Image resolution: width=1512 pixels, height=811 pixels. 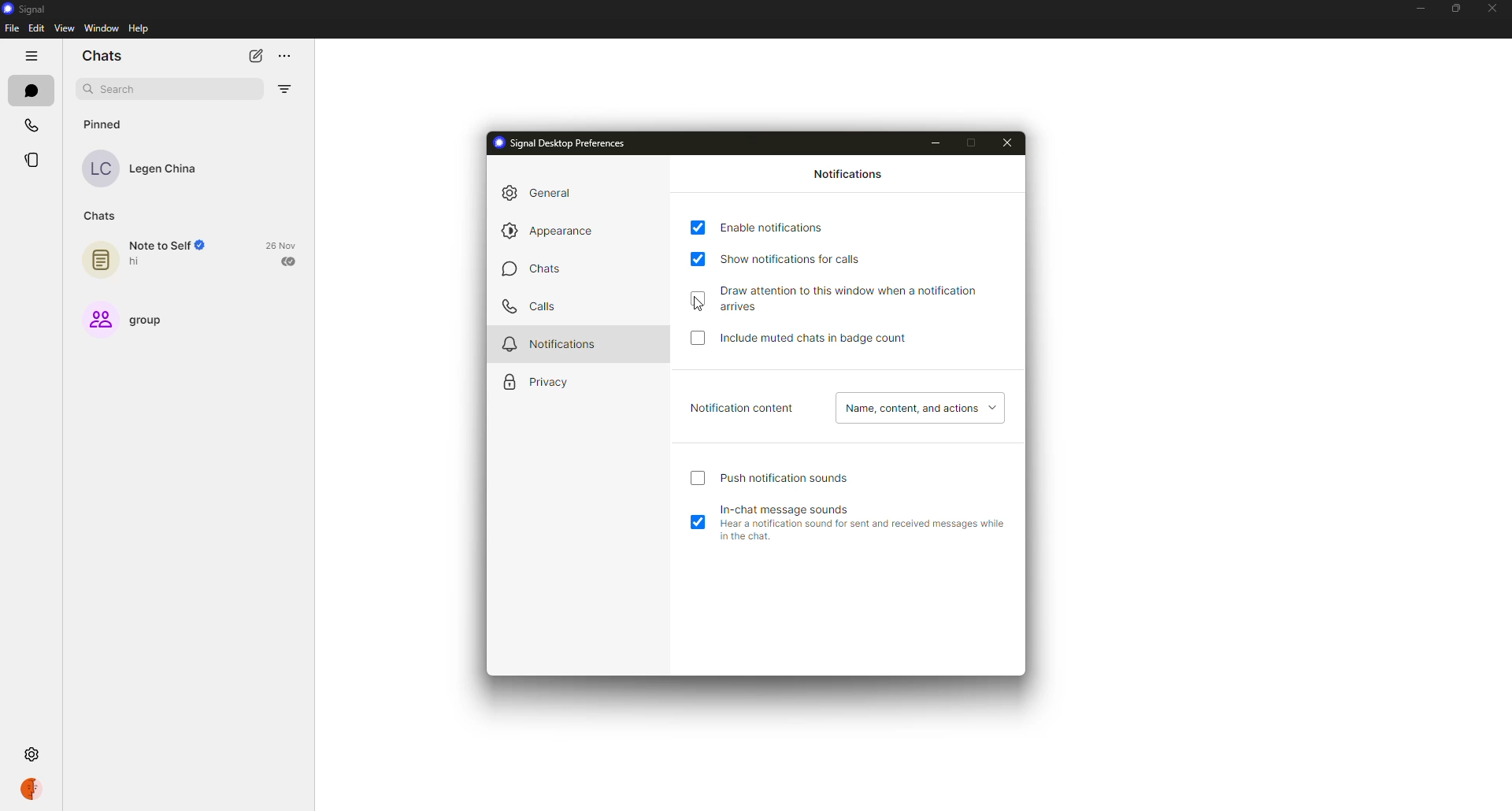 I want to click on chats, so click(x=33, y=91).